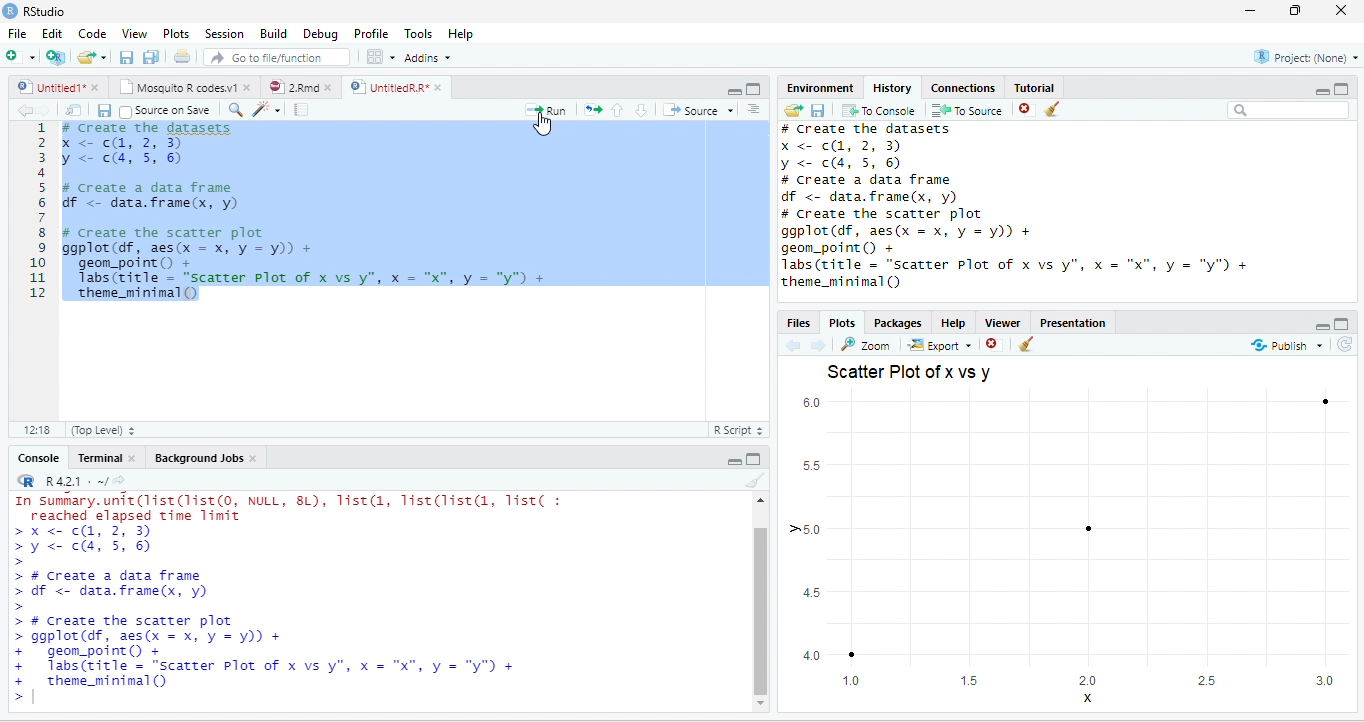  What do you see at coordinates (866, 344) in the screenshot?
I see `zoom` at bounding box center [866, 344].